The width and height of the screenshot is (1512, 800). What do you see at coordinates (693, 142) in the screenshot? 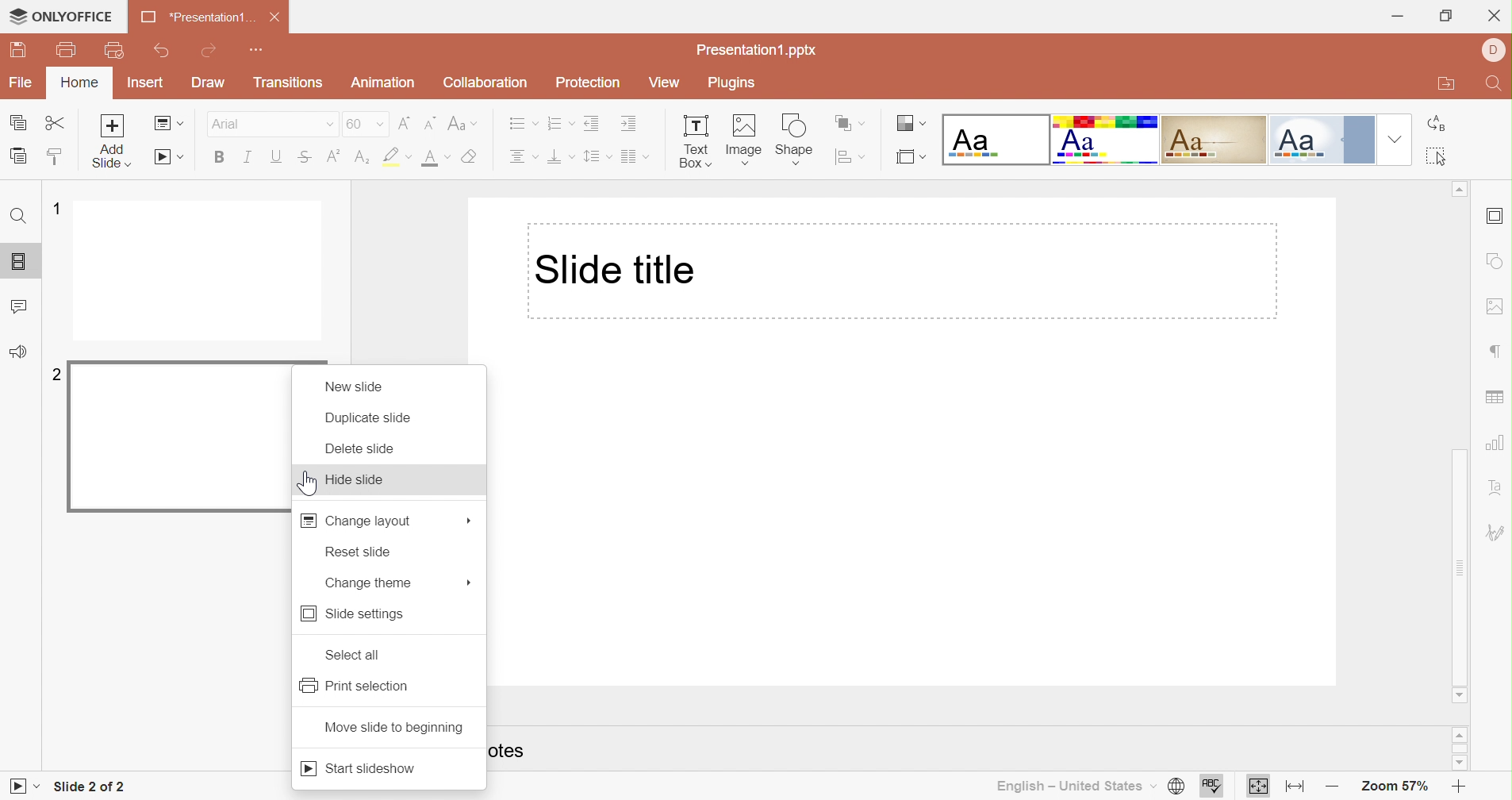
I see `Text Box` at bounding box center [693, 142].